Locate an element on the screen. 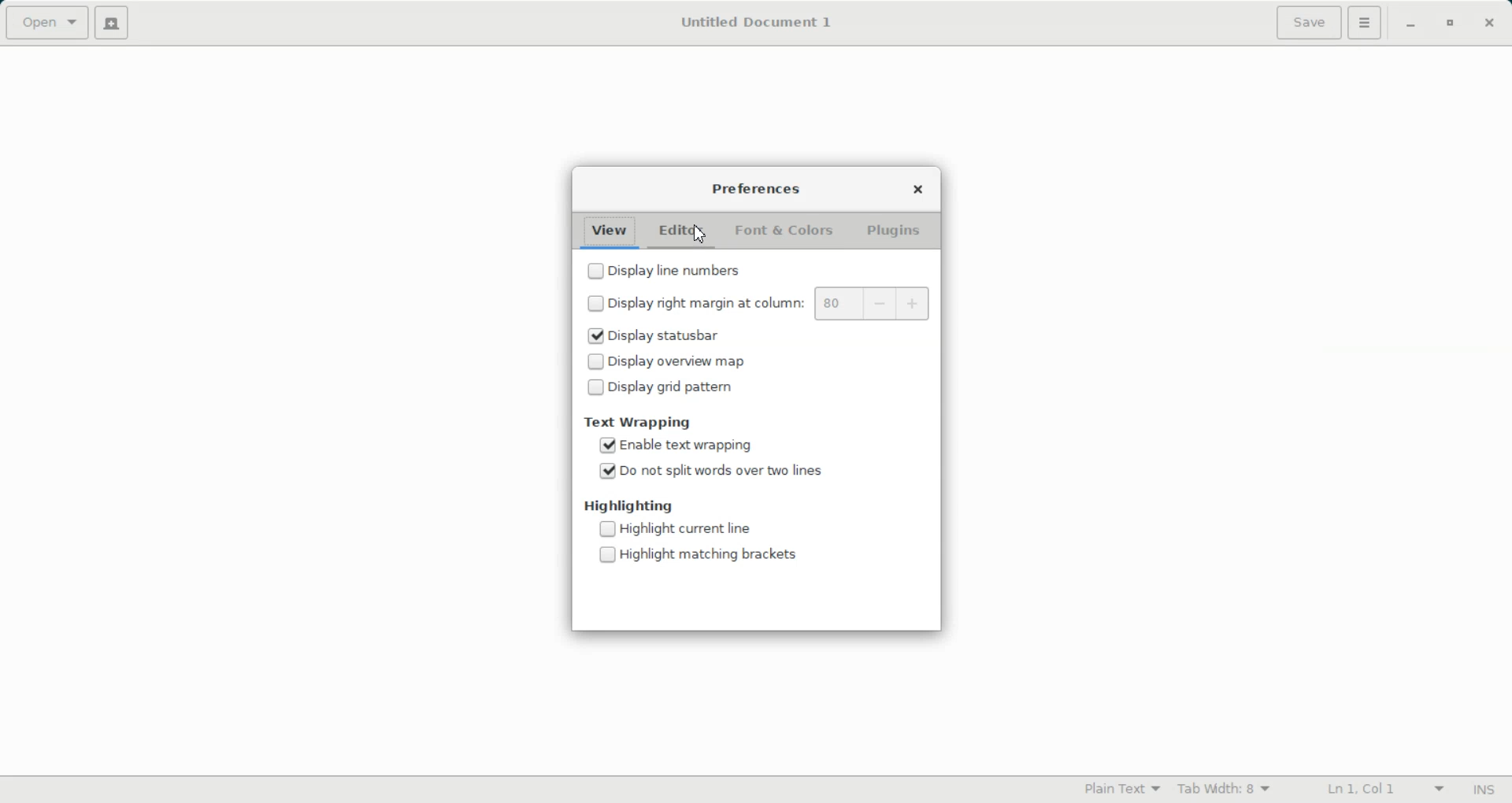 This screenshot has width=1512, height=803. decrease is located at coordinates (875, 303).